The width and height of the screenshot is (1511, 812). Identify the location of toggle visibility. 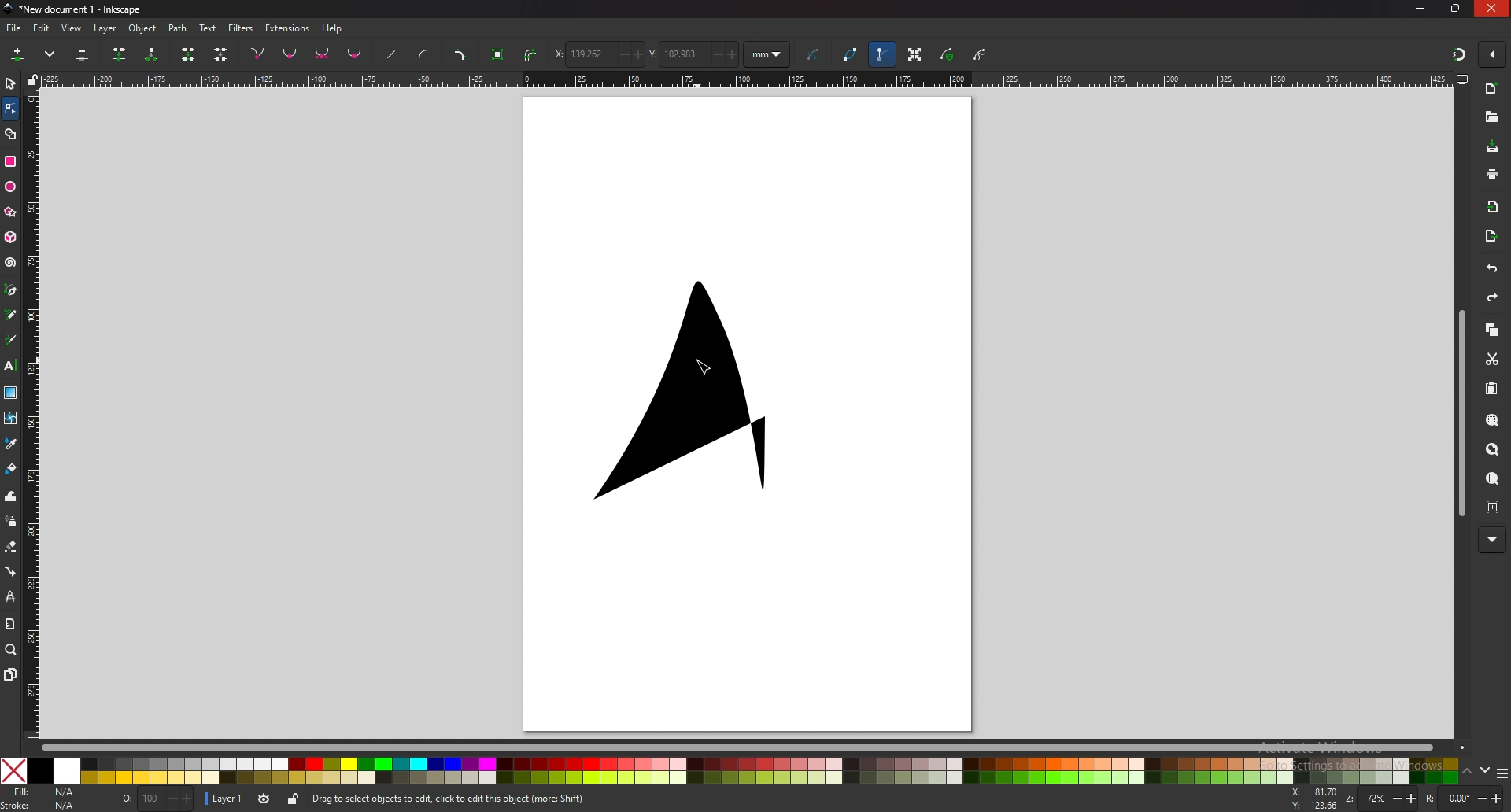
(265, 799).